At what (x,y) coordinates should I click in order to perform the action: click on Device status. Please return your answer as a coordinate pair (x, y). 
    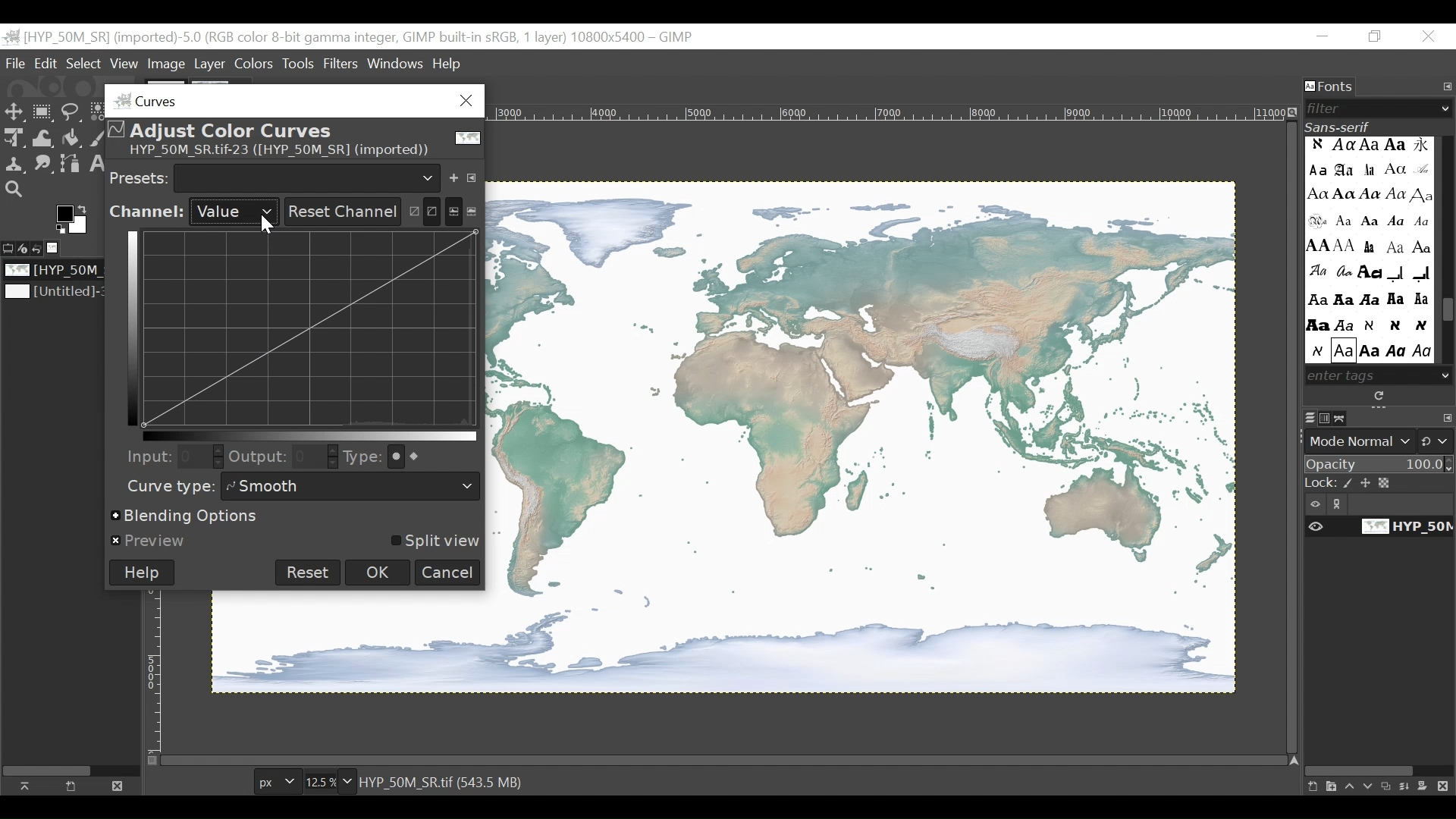
    Looking at the image, I should click on (25, 247).